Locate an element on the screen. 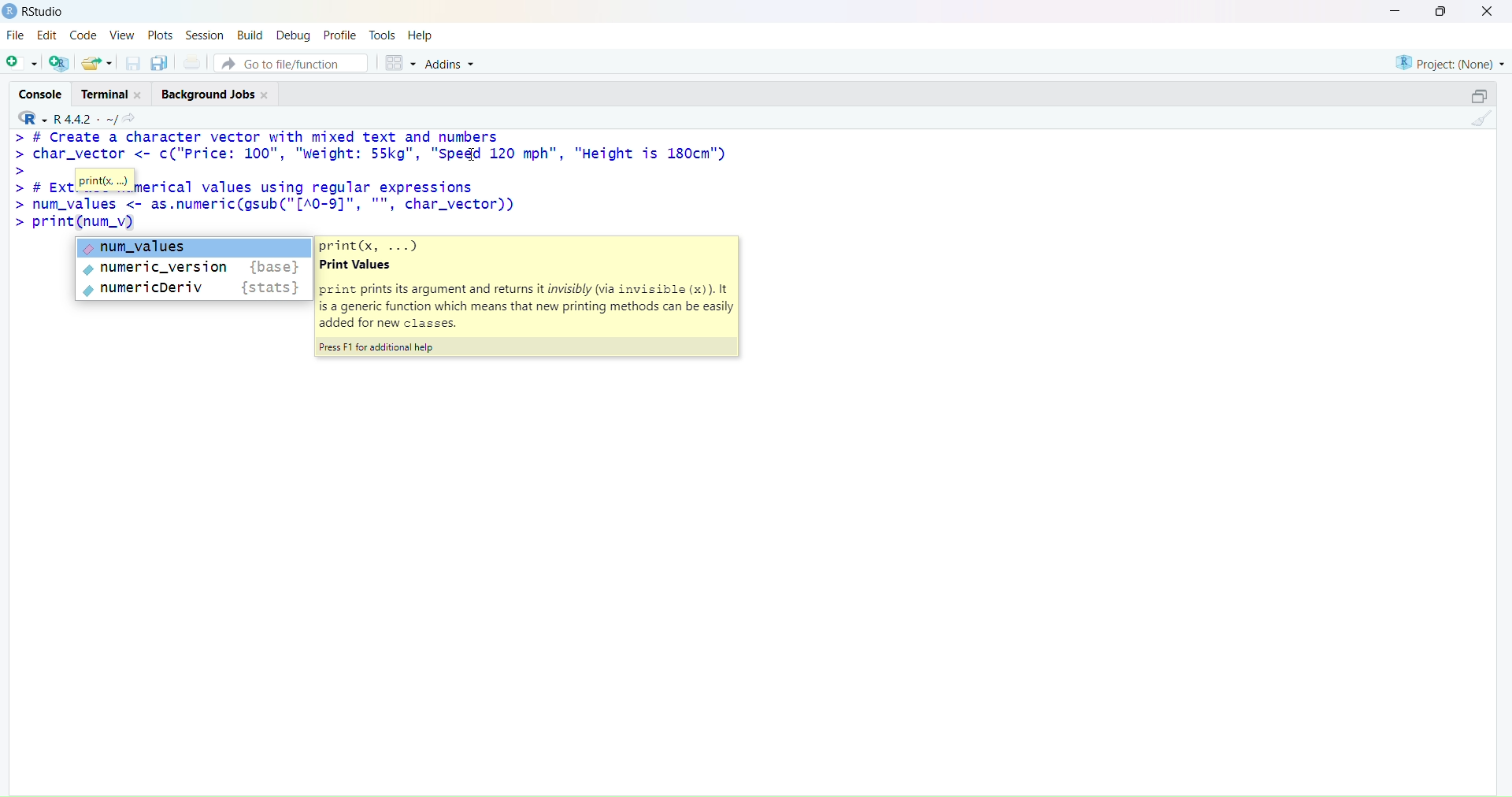 This screenshot has height=797, width=1512. R is located at coordinates (31, 118).